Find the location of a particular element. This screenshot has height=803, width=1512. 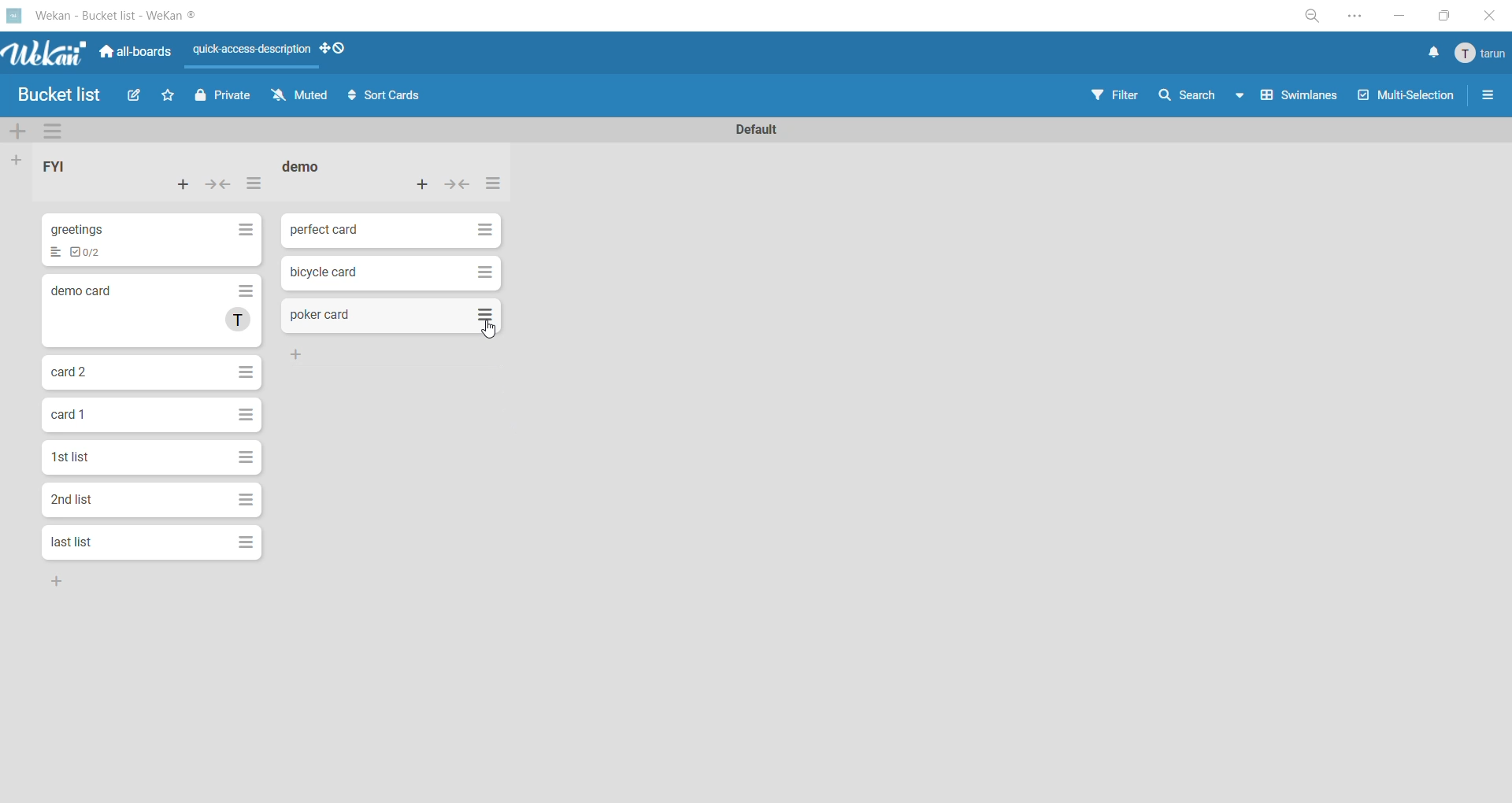

muted is located at coordinates (302, 98).